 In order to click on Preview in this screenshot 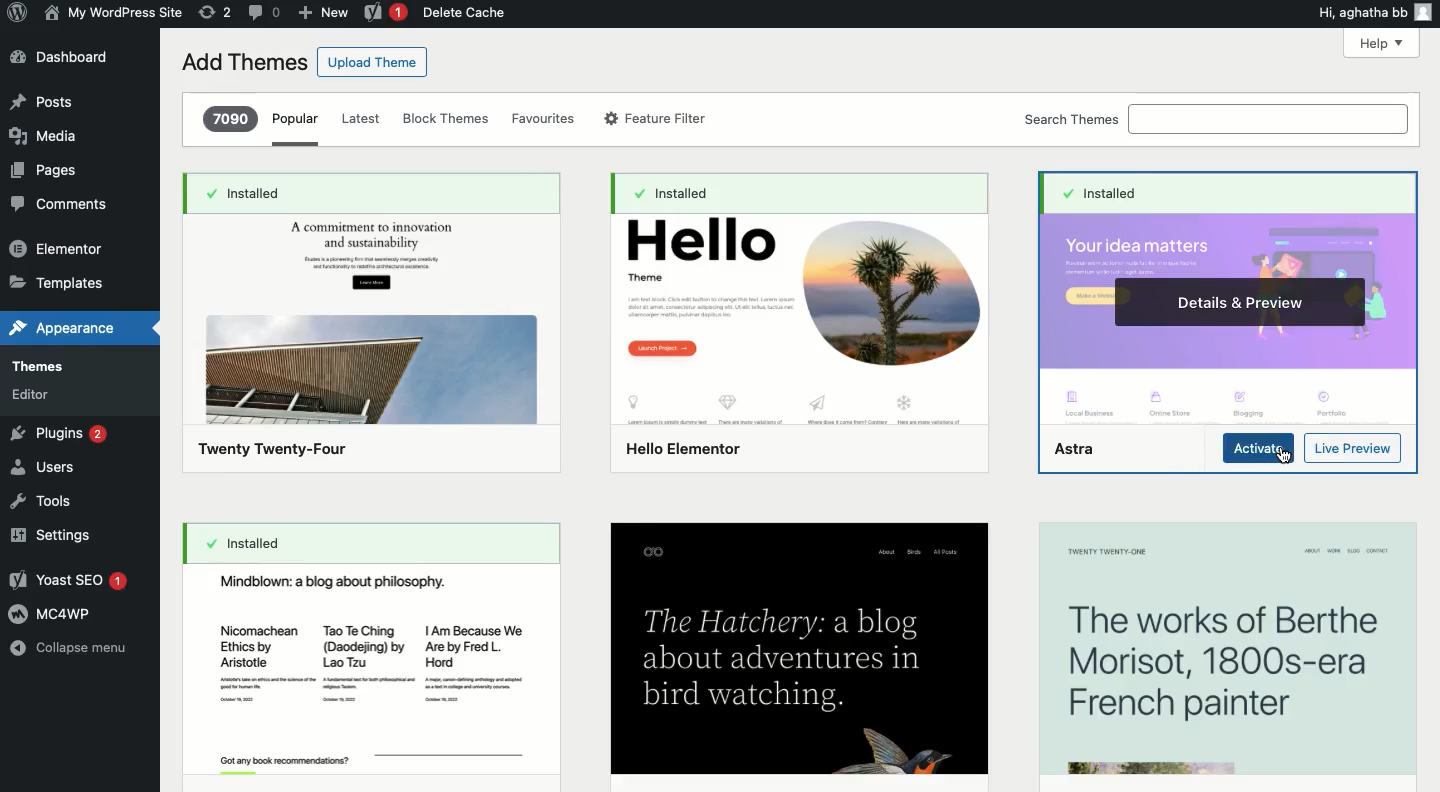, I will do `click(1349, 447)`.